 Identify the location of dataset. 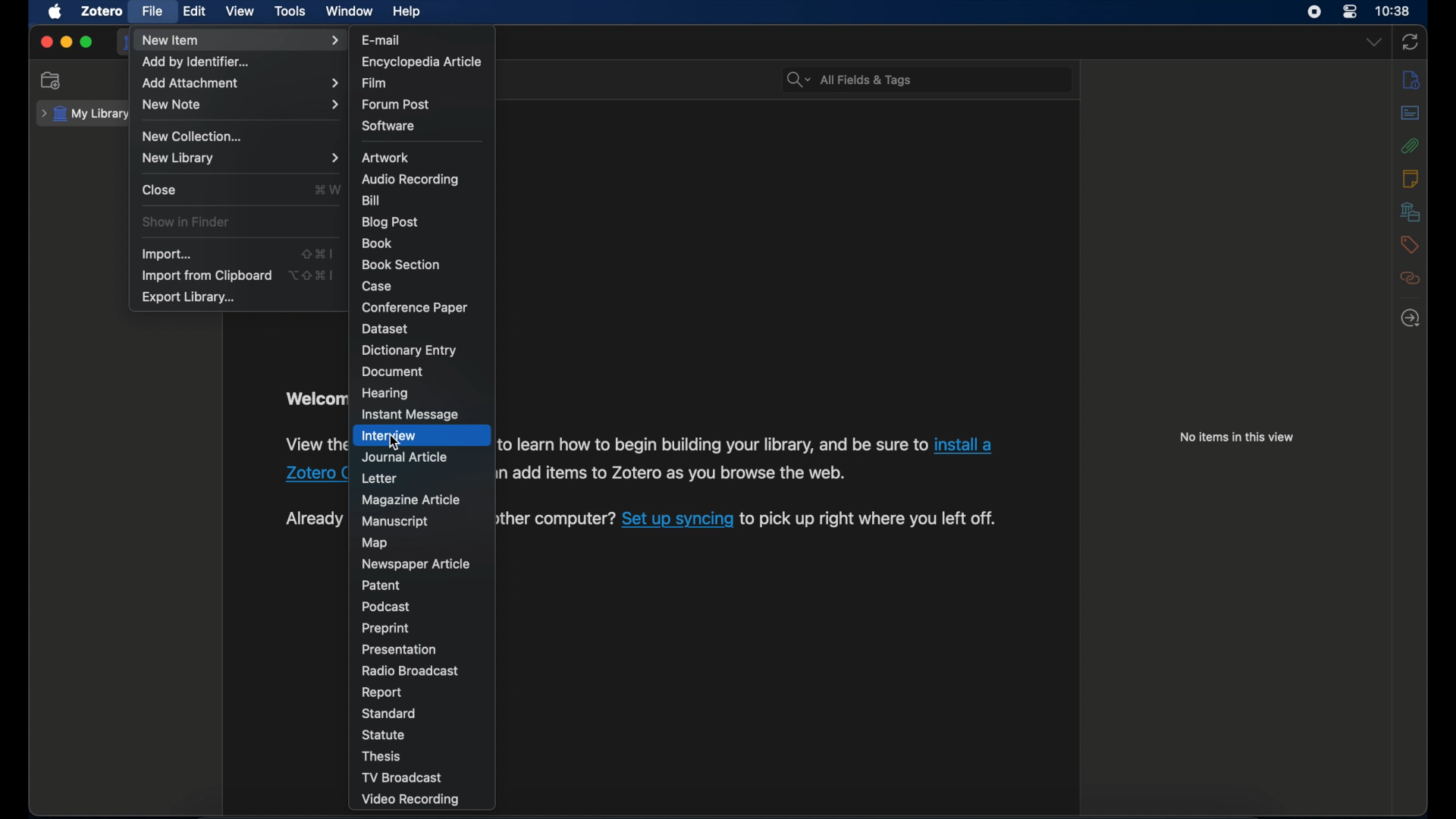
(388, 329).